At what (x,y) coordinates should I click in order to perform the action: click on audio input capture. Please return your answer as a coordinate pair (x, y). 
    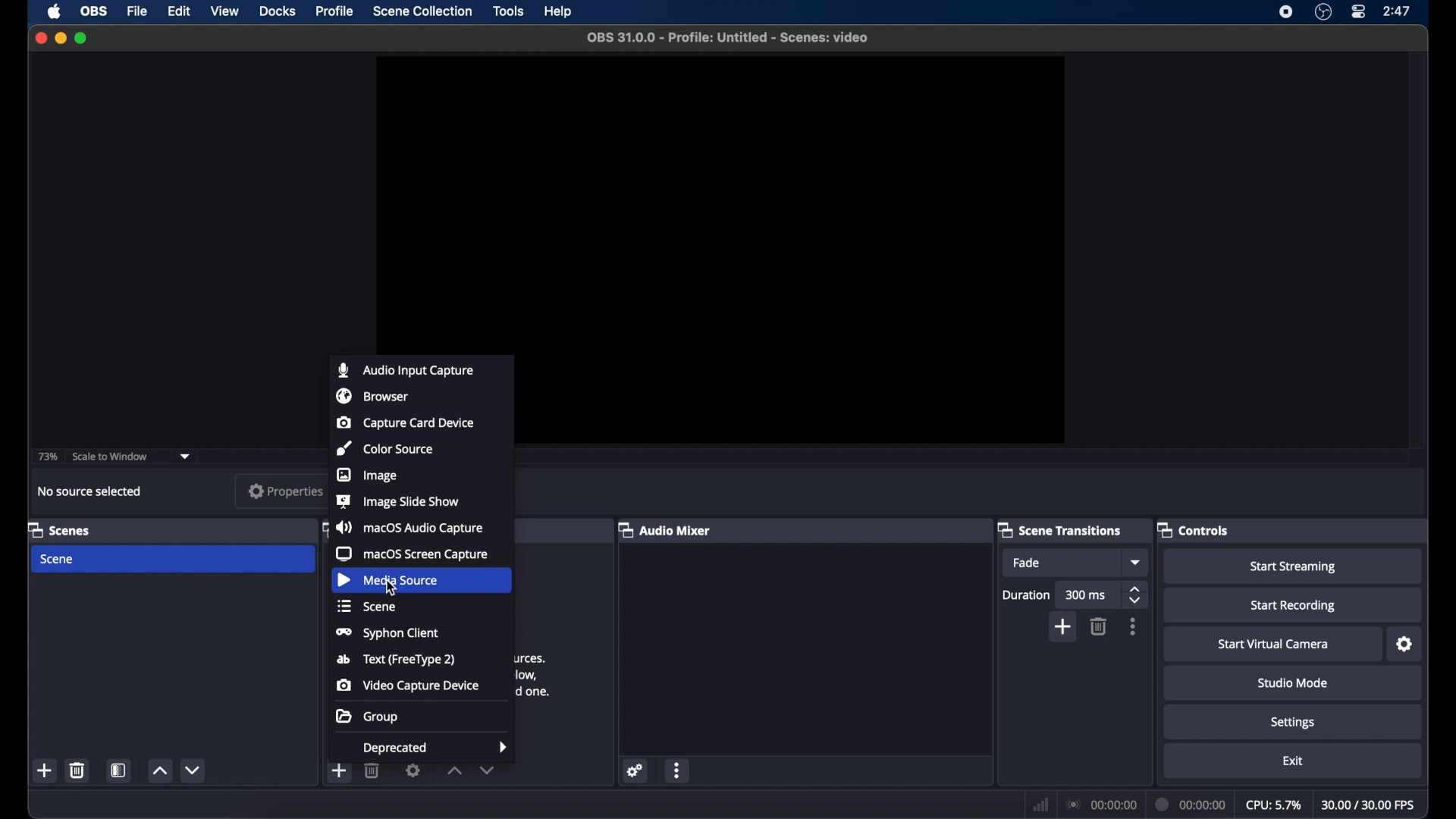
    Looking at the image, I should click on (405, 370).